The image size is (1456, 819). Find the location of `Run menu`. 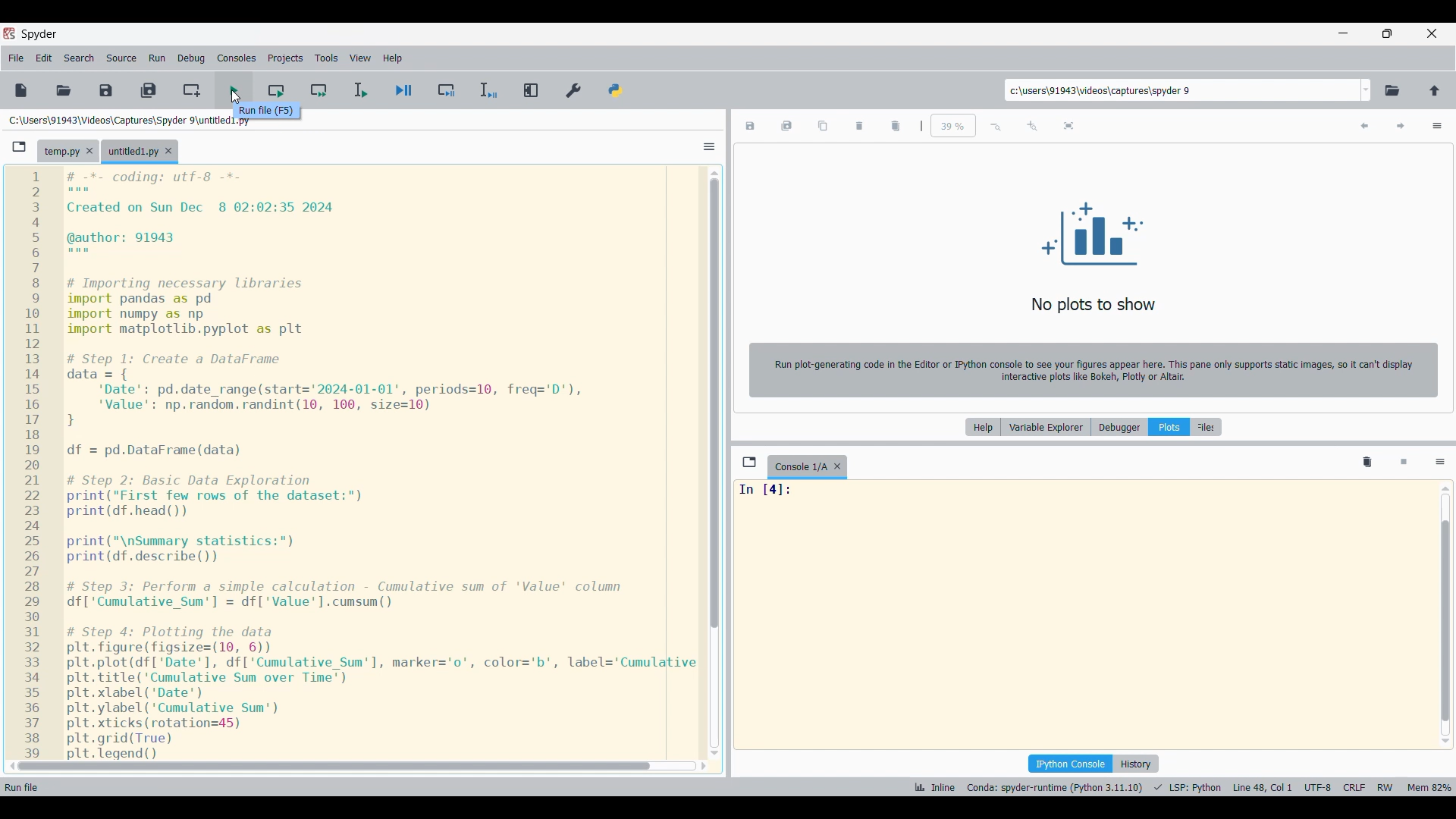

Run menu is located at coordinates (157, 58).